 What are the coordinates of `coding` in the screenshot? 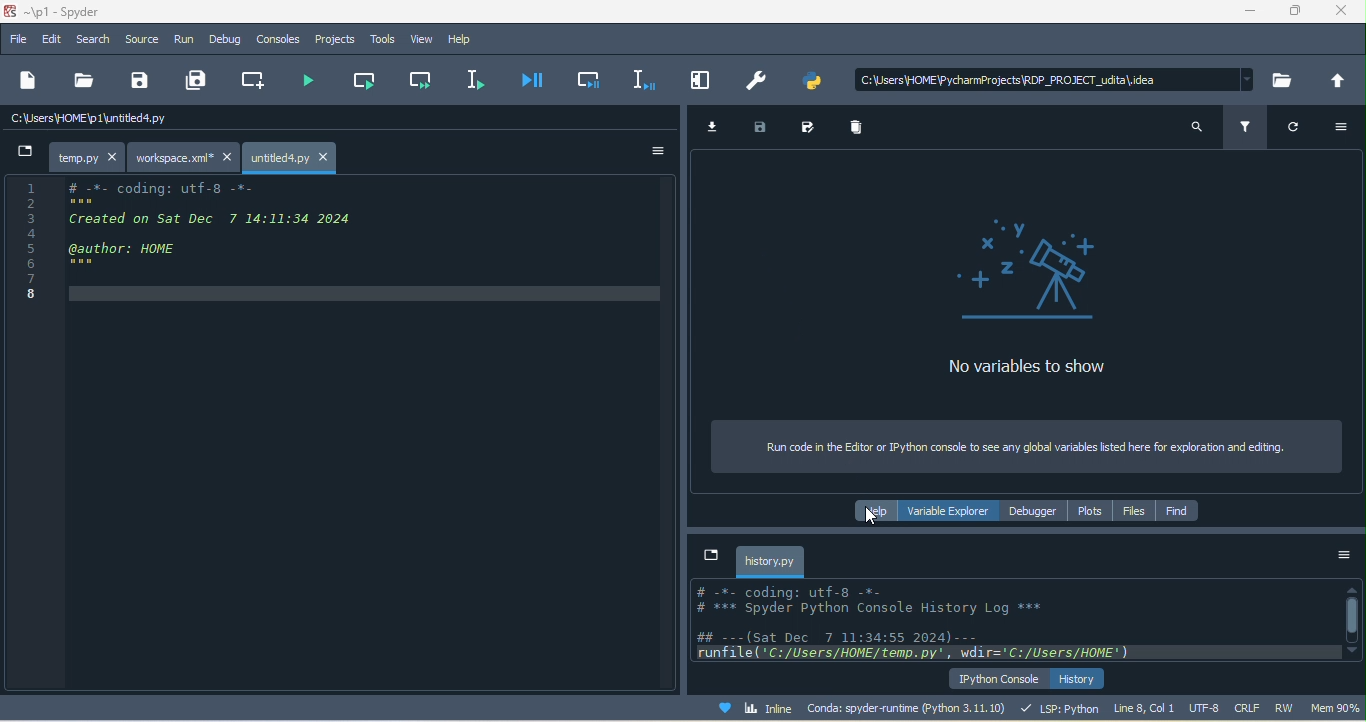 It's located at (335, 238).